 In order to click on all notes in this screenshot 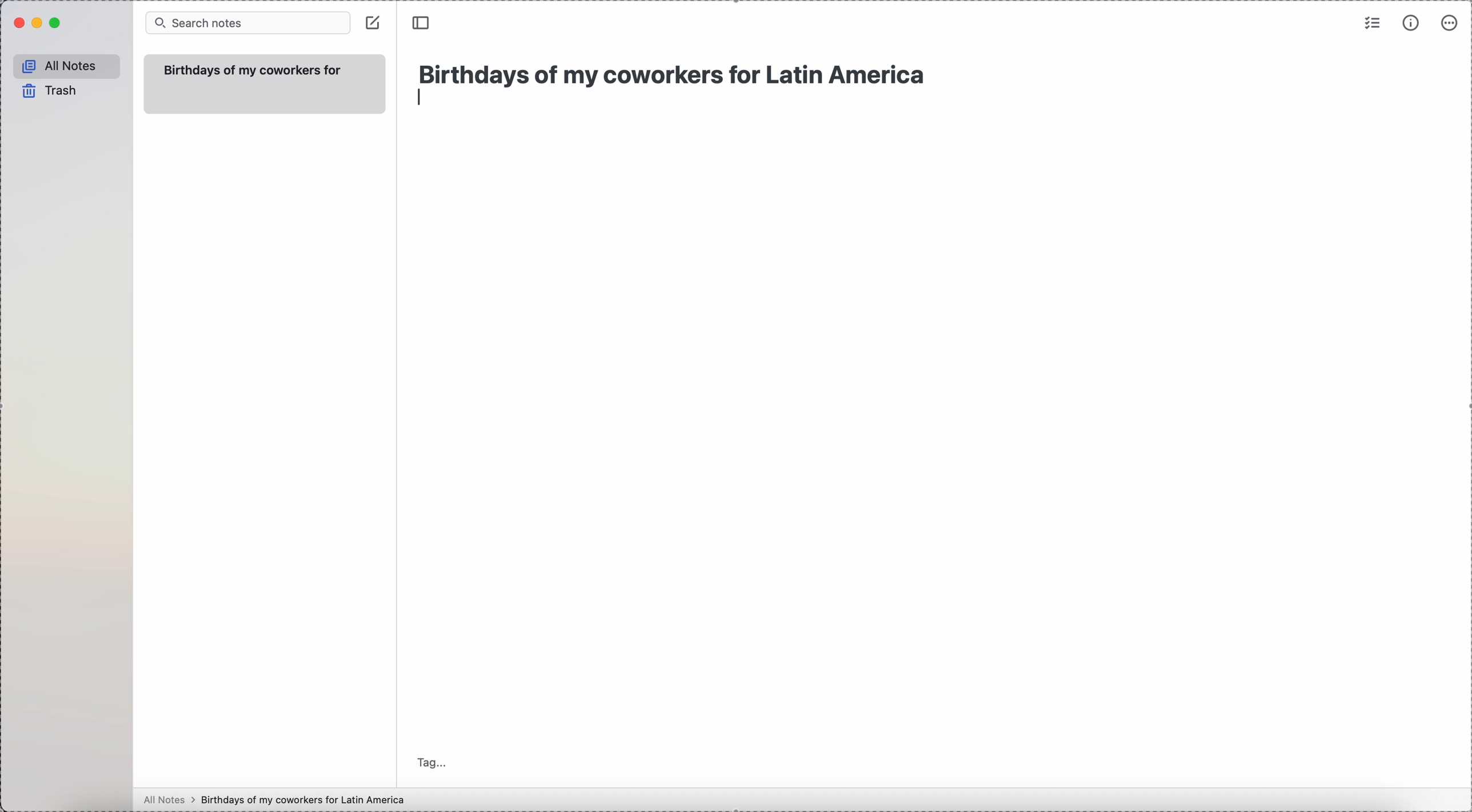, I will do `click(67, 64)`.